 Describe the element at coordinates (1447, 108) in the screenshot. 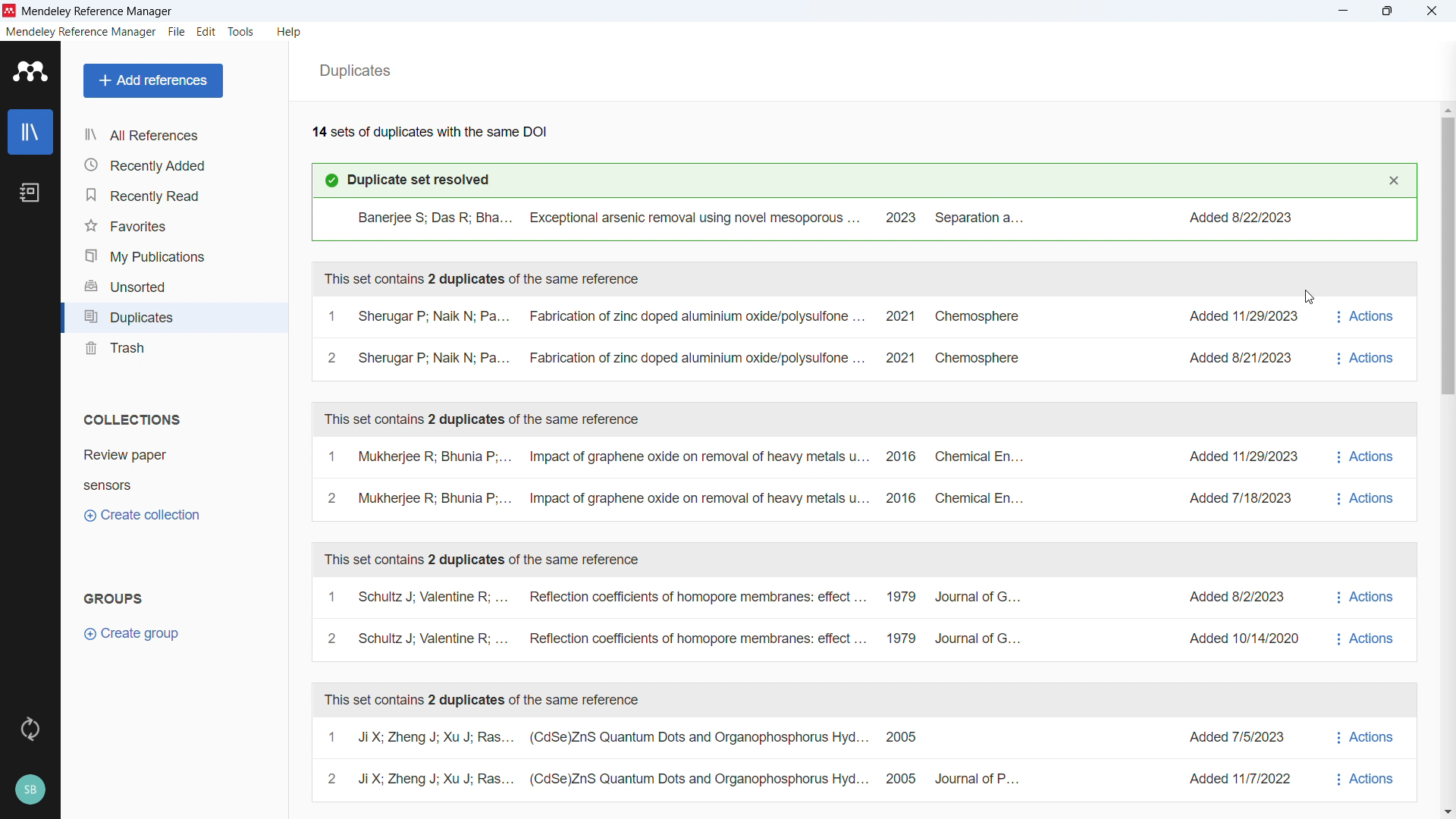

I see `Scroll up` at that location.